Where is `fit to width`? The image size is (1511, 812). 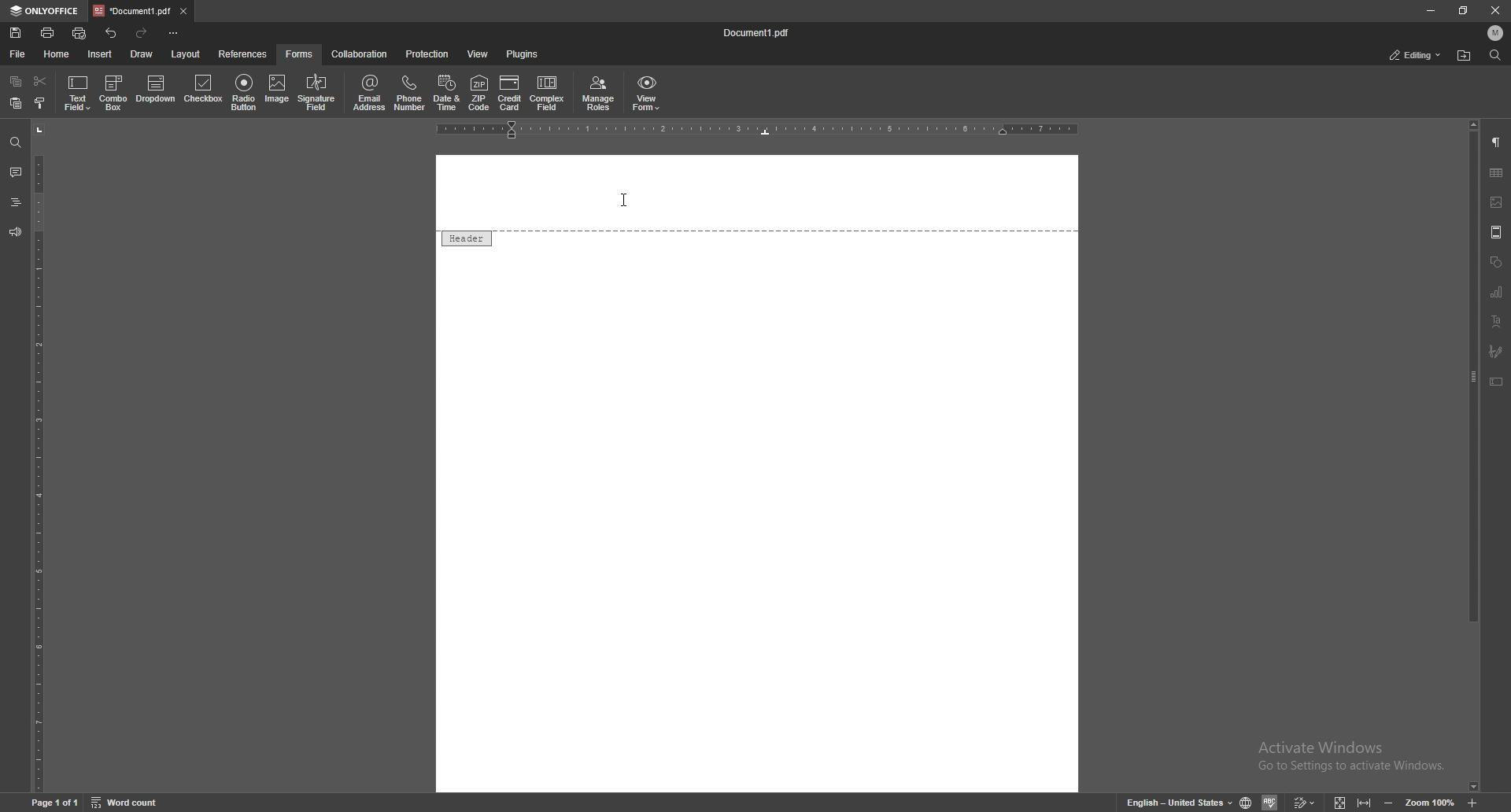
fit to width is located at coordinates (1365, 803).